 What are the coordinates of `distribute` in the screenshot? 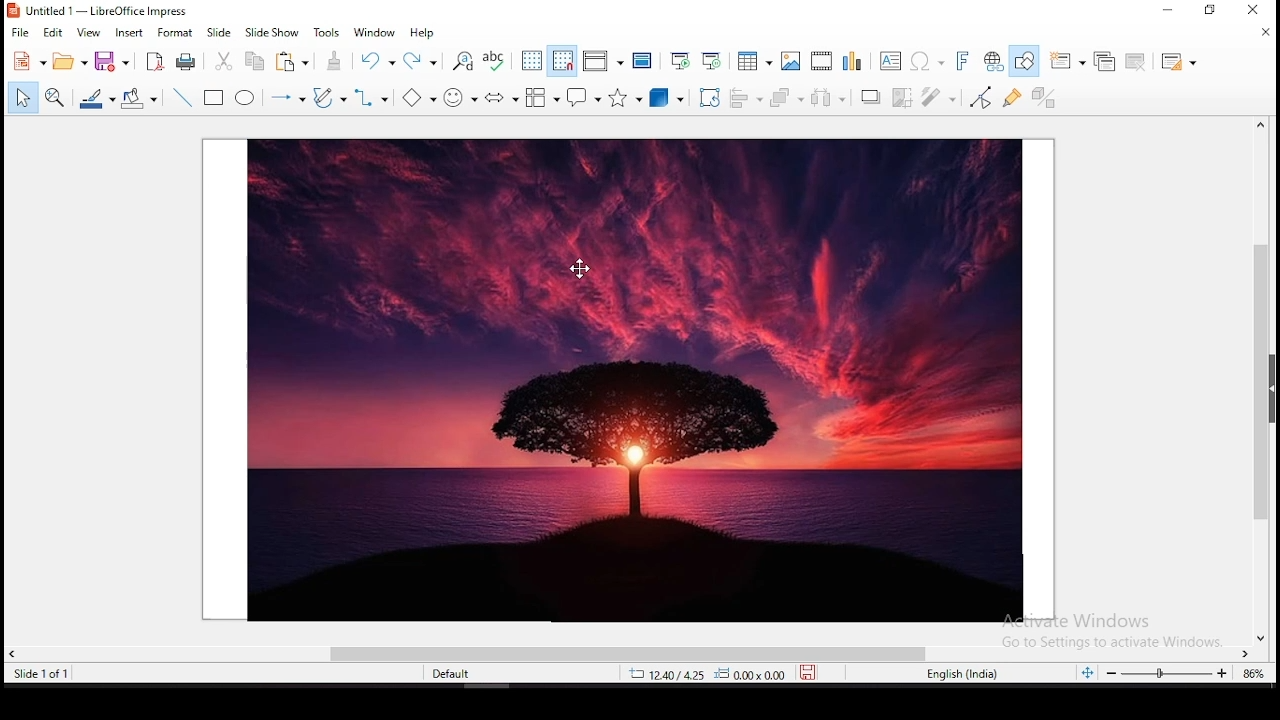 It's located at (828, 99).